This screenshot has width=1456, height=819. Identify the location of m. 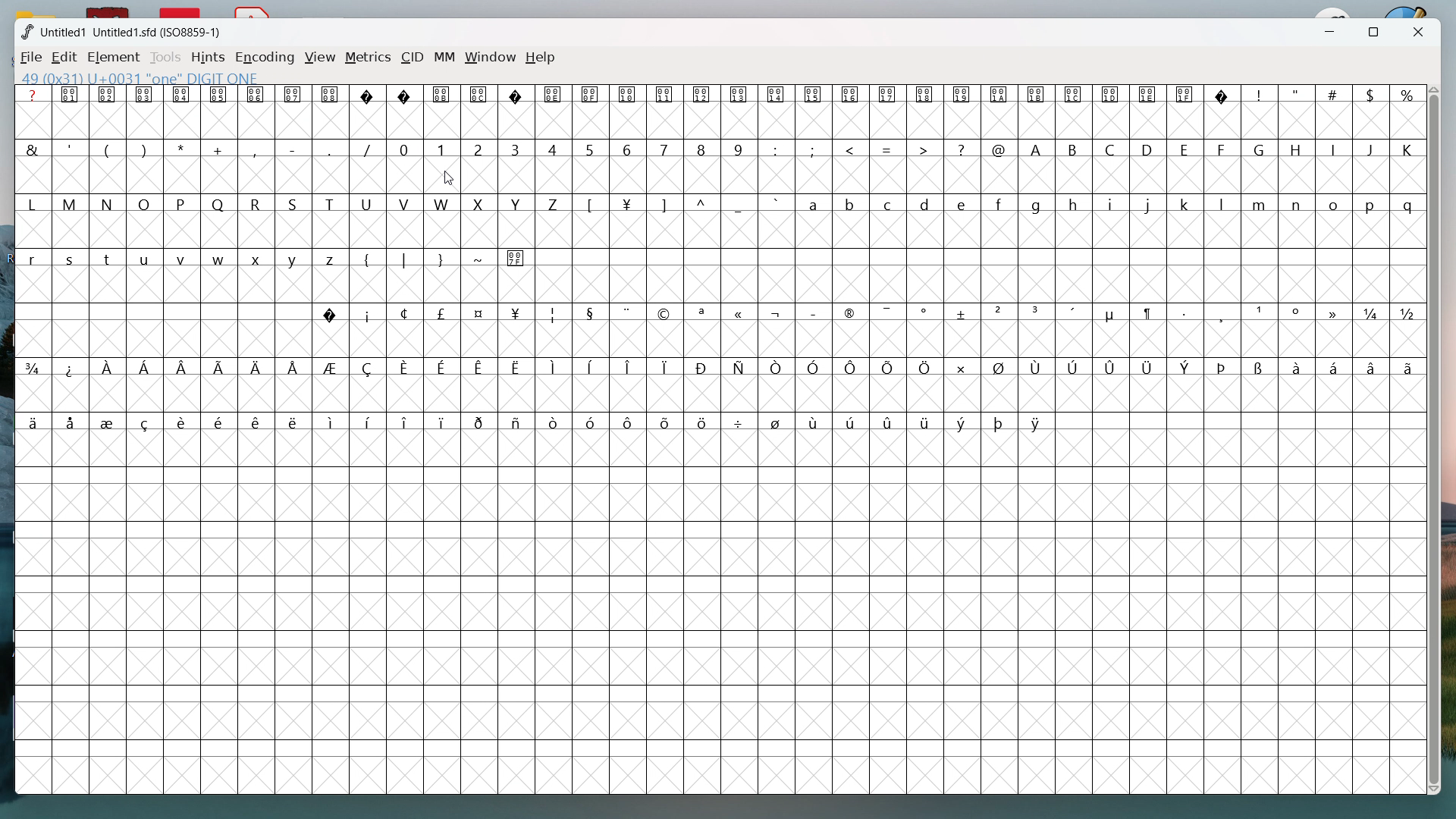
(1260, 202).